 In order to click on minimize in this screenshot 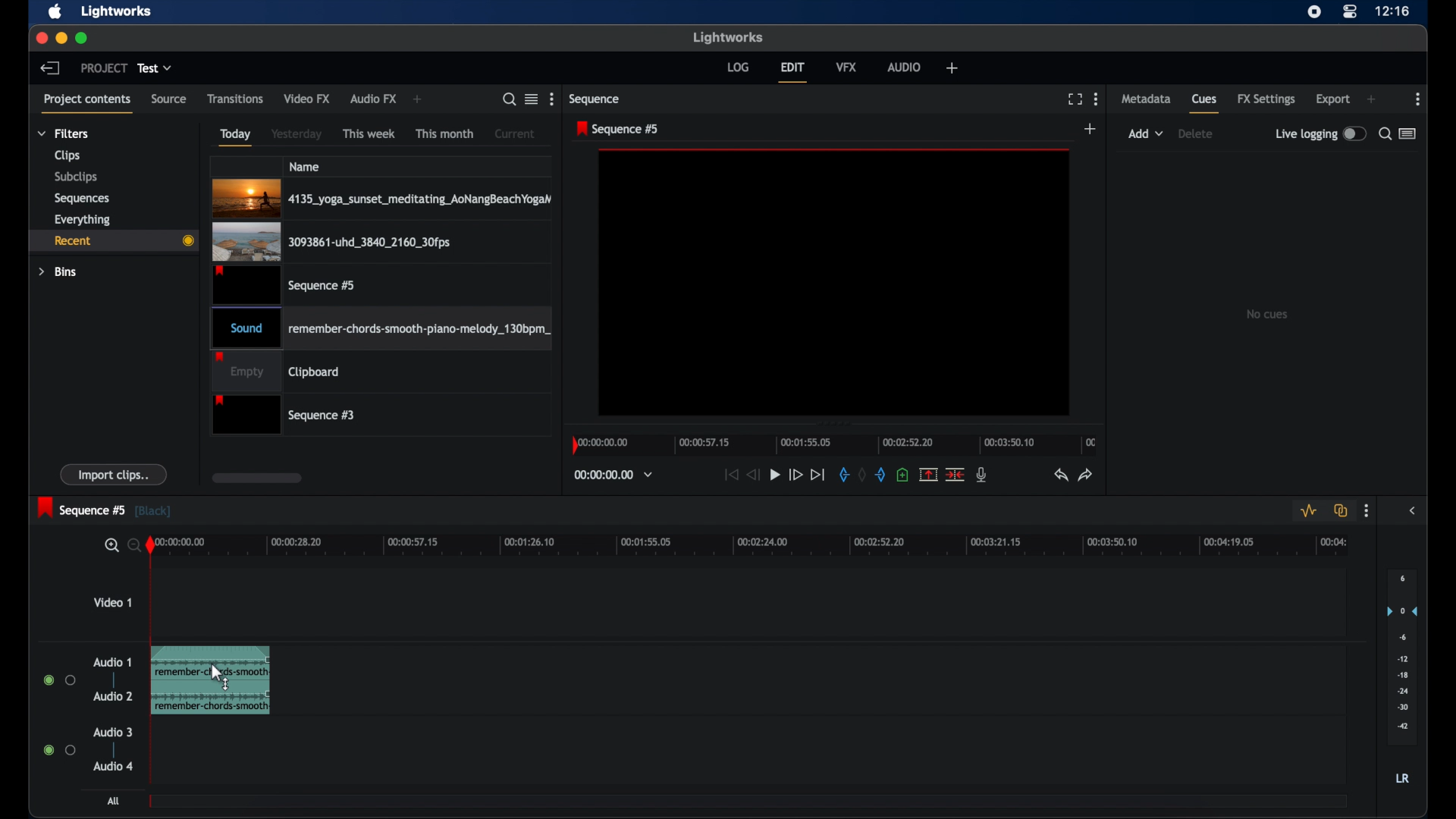, I will do `click(61, 38)`.